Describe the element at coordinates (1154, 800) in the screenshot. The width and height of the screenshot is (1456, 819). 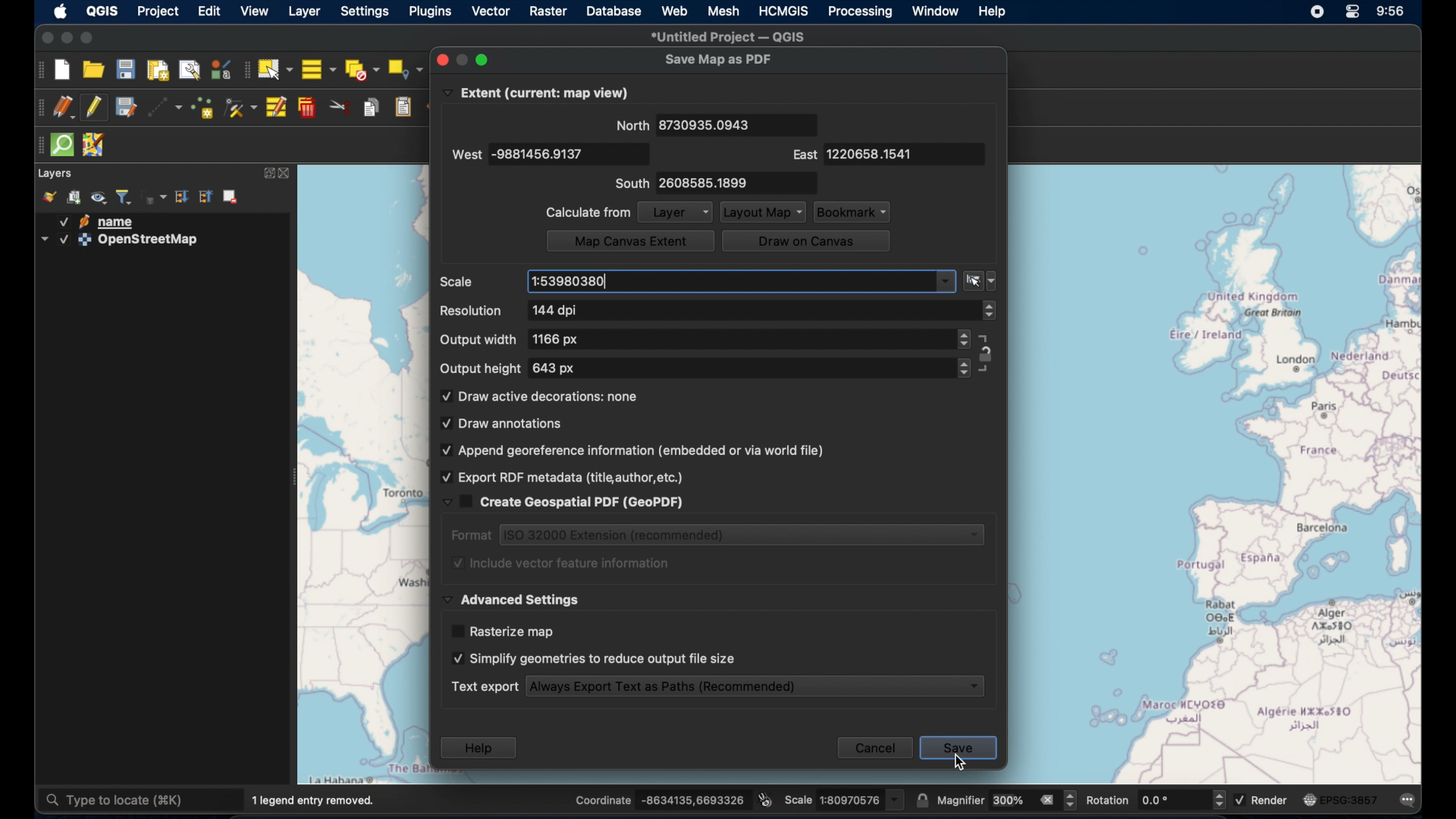
I see `rotation` at that location.